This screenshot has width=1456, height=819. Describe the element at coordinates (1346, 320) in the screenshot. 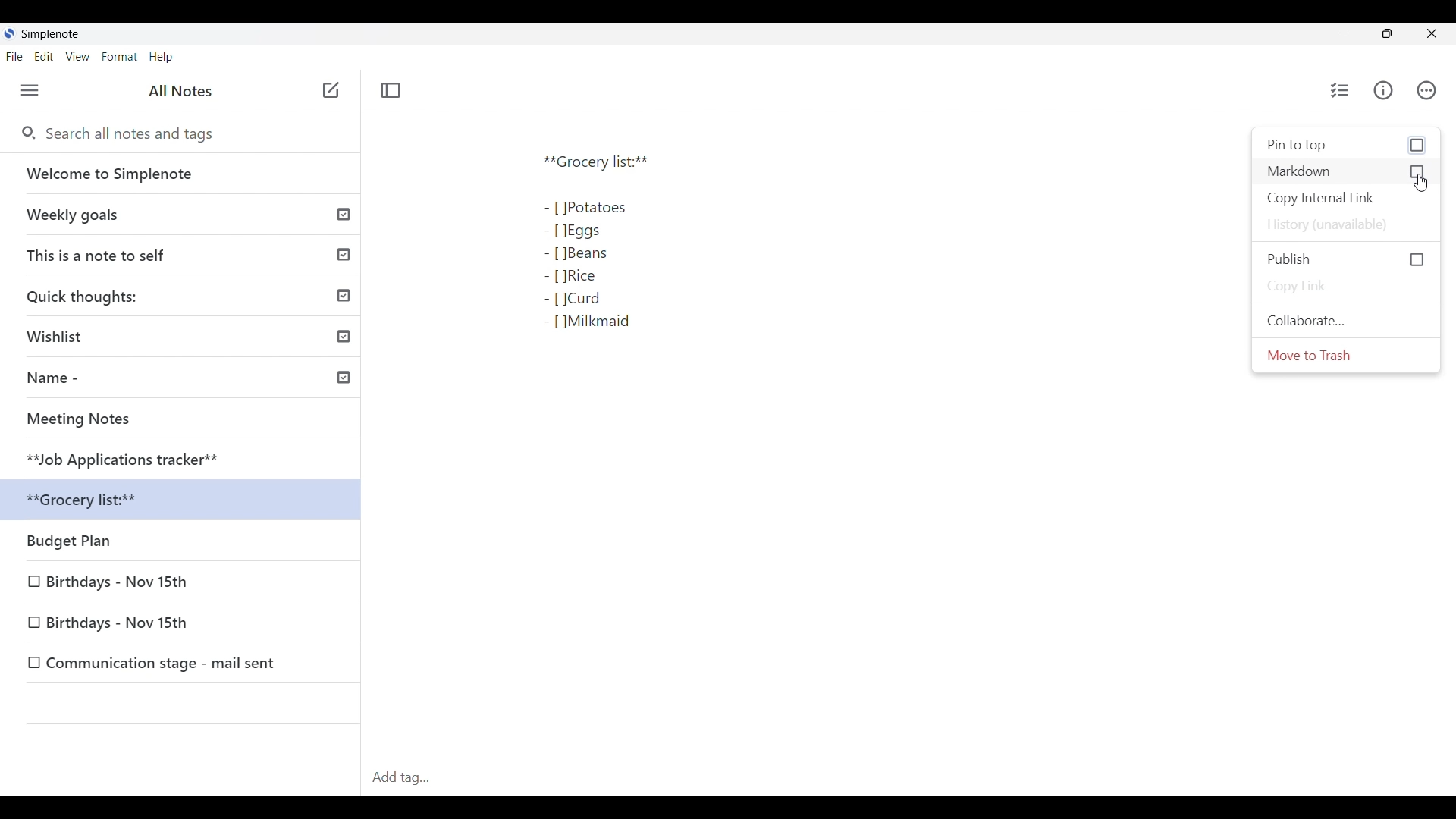

I see `Collaborate` at that location.